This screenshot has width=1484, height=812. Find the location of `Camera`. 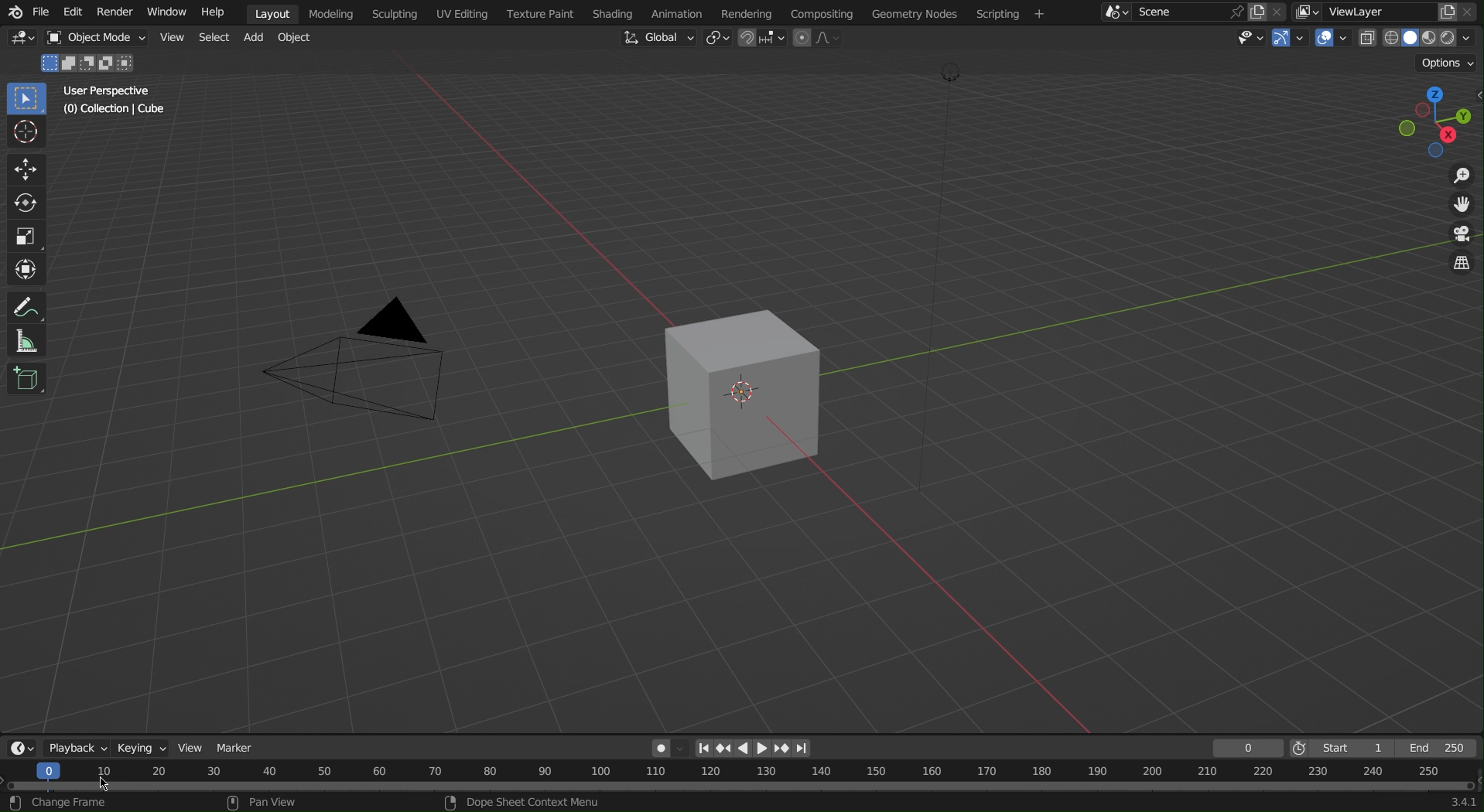

Camera is located at coordinates (381, 365).